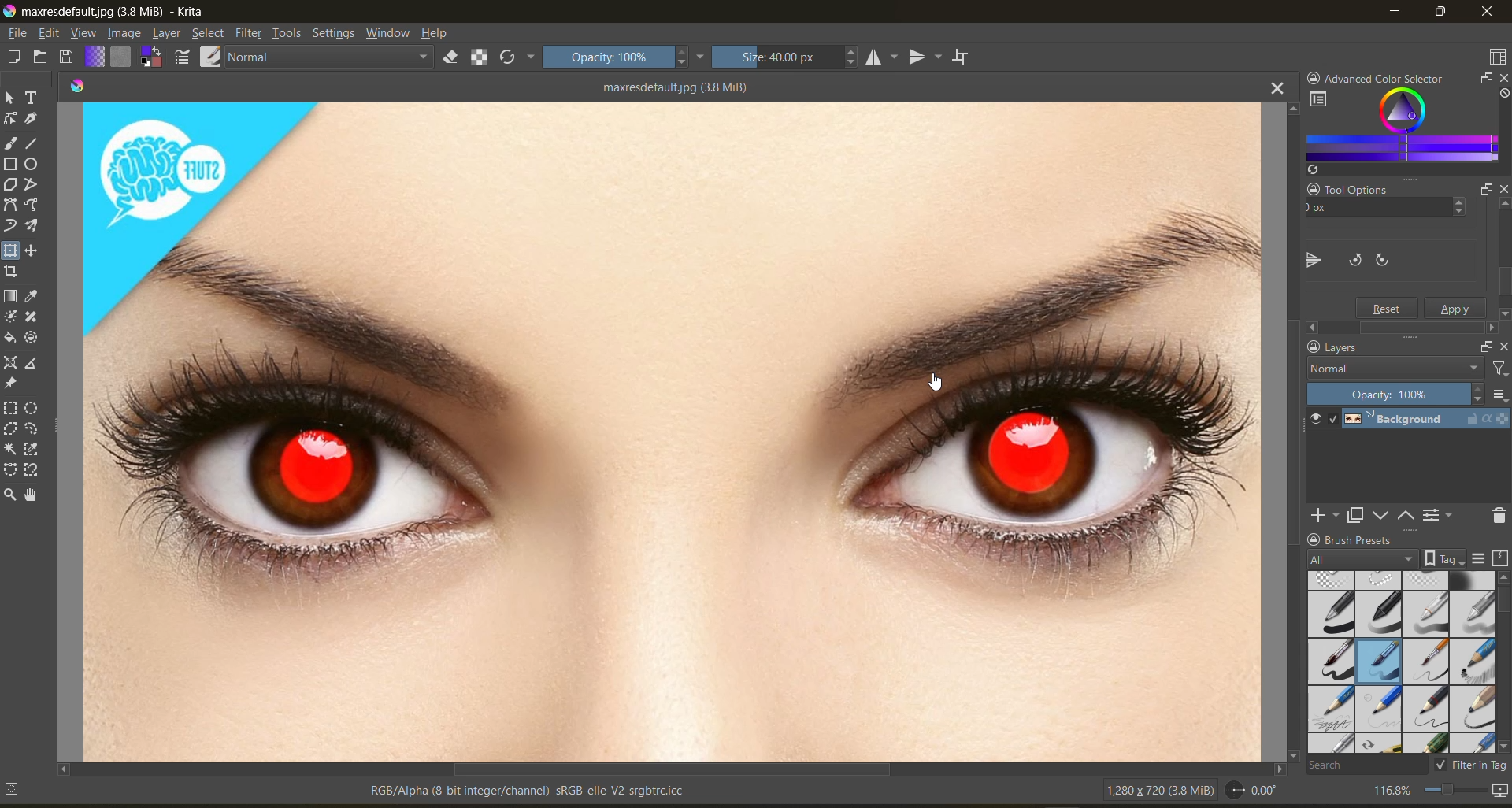  What do you see at coordinates (789, 57) in the screenshot?
I see `size ` at bounding box center [789, 57].